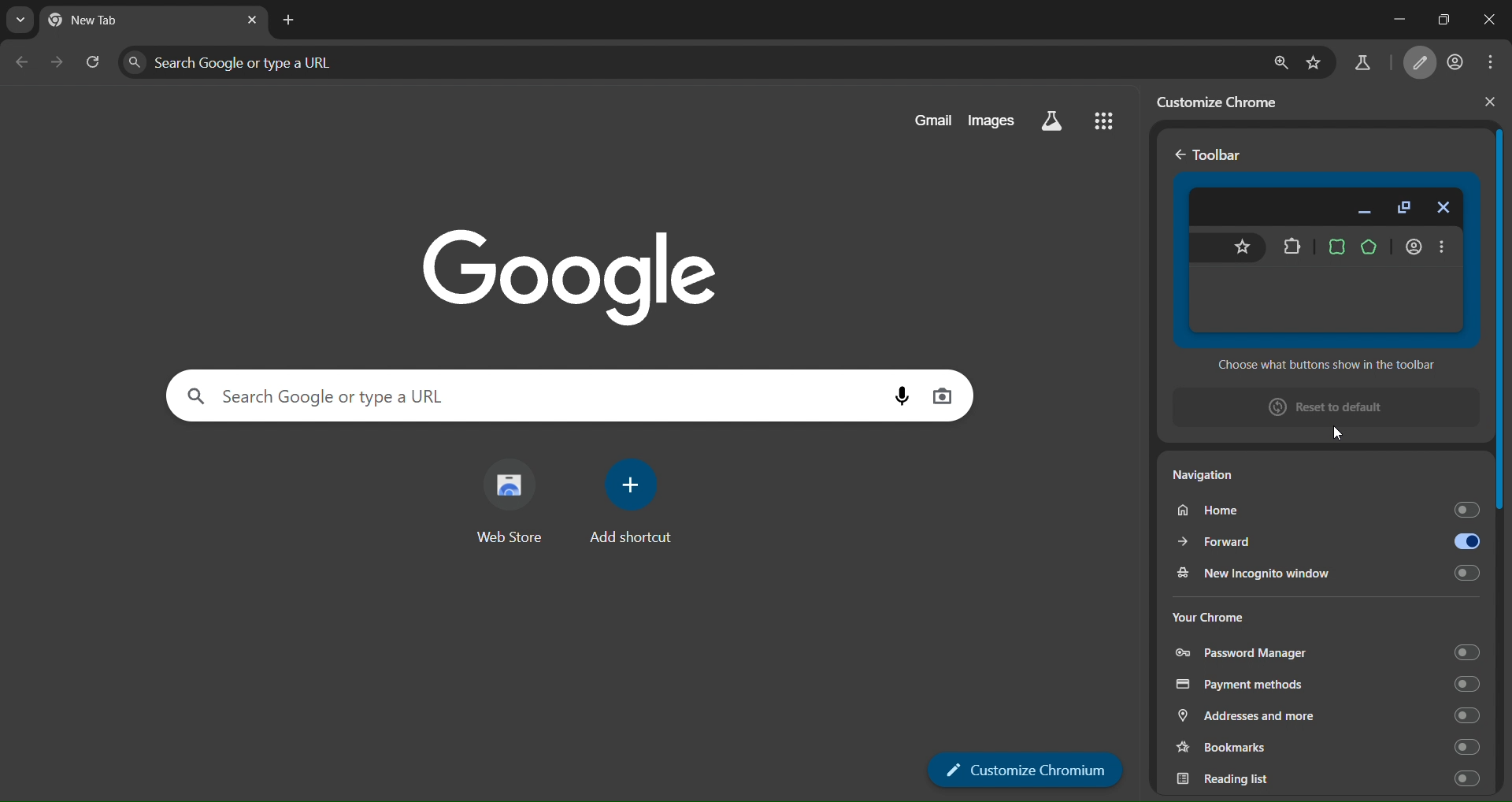  Describe the element at coordinates (289, 19) in the screenshot. I see `new tab` at that location.